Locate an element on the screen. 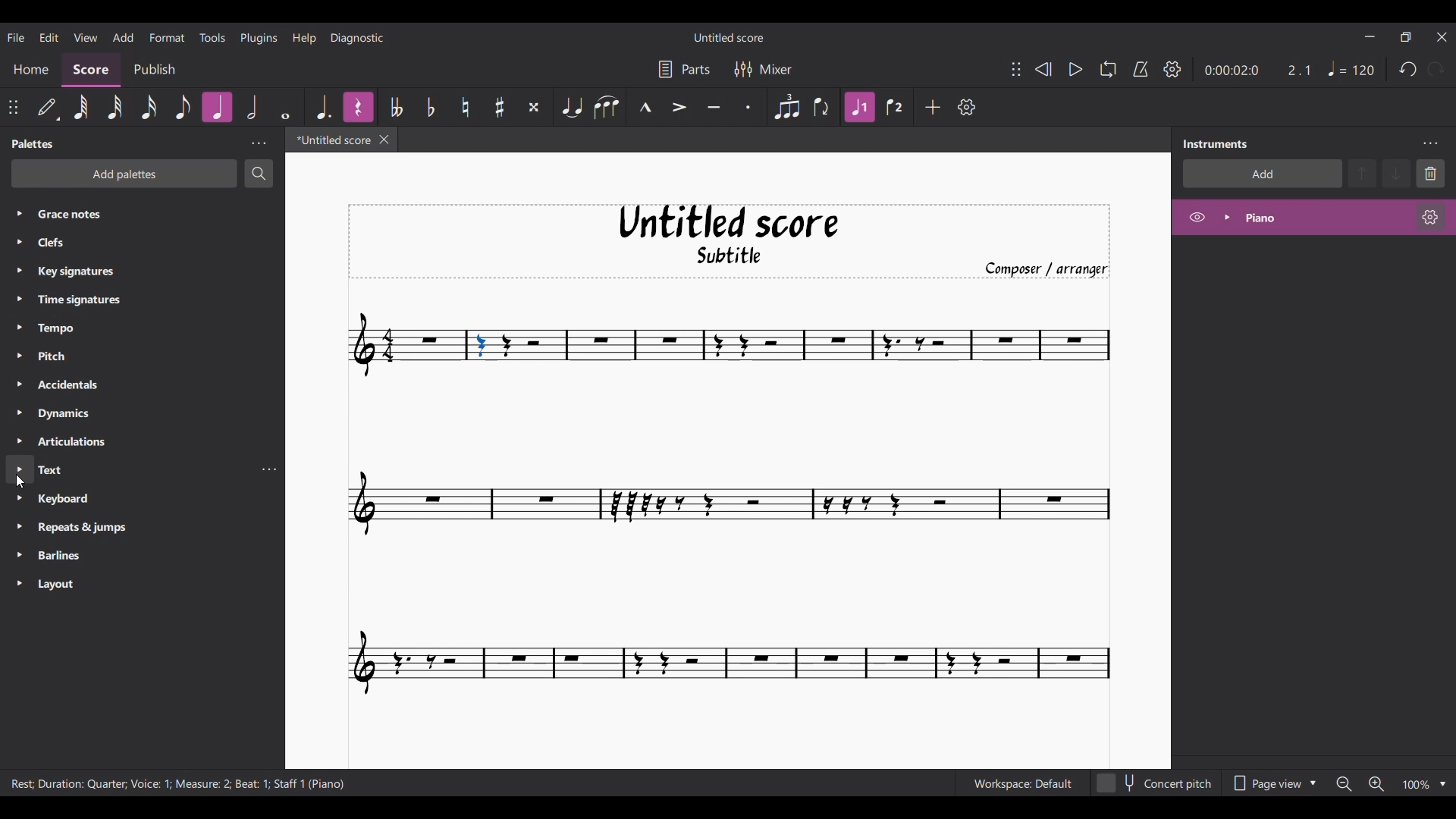 This screenshot has height=819, width=1456. Delete selection is located at coordinates (1430, 173).